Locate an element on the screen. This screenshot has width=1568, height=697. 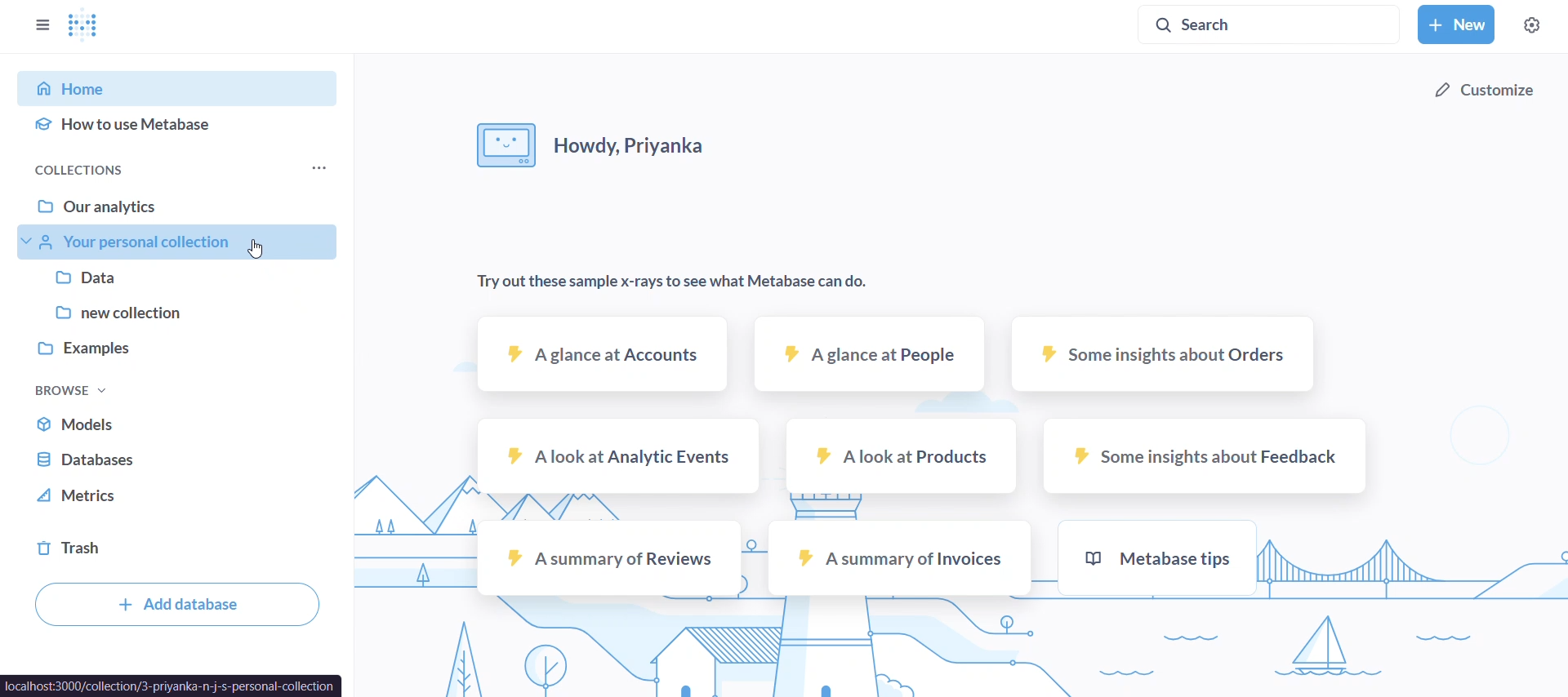
data is located at coordinates (182, 279).